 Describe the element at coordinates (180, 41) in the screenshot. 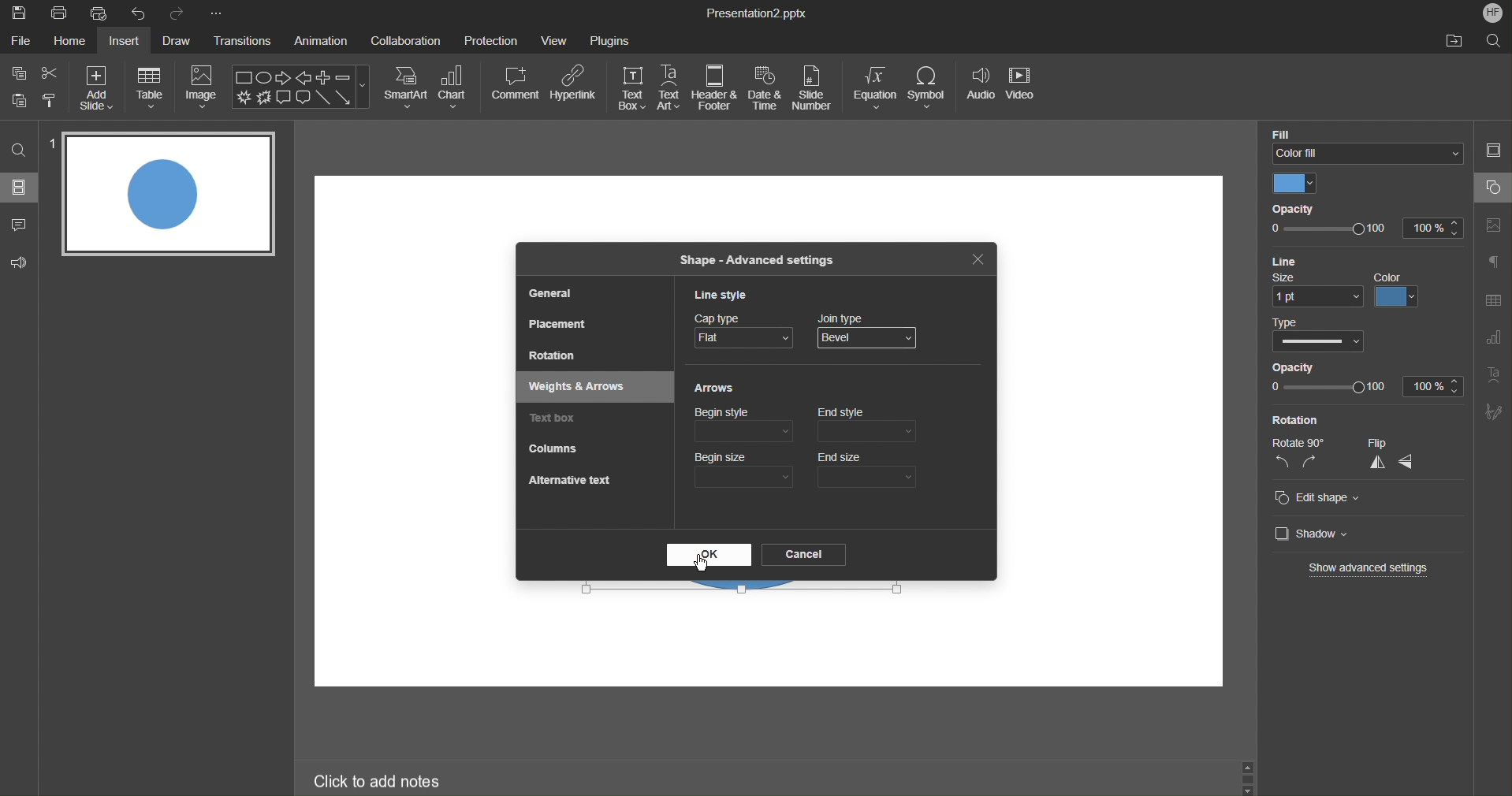

I see `Draw` at that location.